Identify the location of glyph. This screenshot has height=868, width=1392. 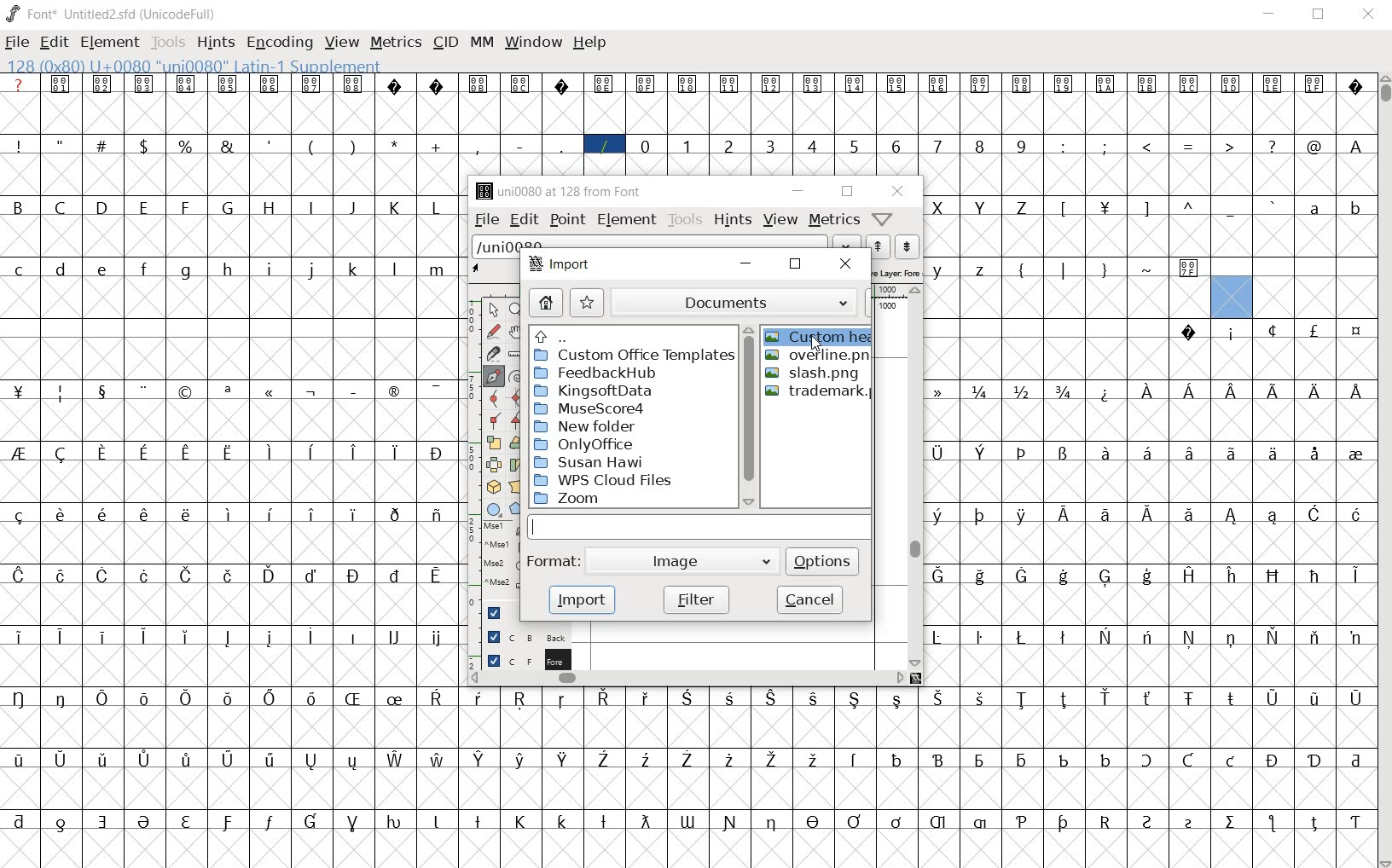
(1146, 636).